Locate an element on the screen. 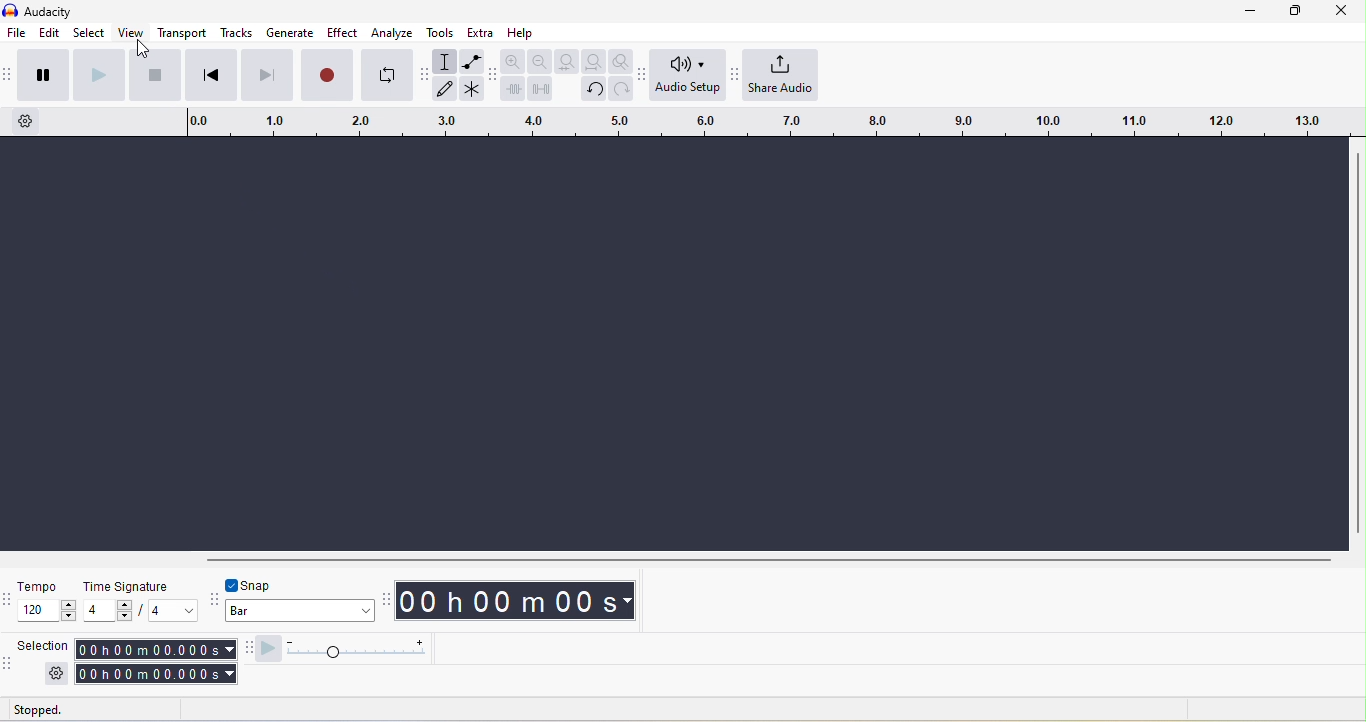 This screenshot has height=722, width=1366. selection start time is located at coordinates (155, 650).